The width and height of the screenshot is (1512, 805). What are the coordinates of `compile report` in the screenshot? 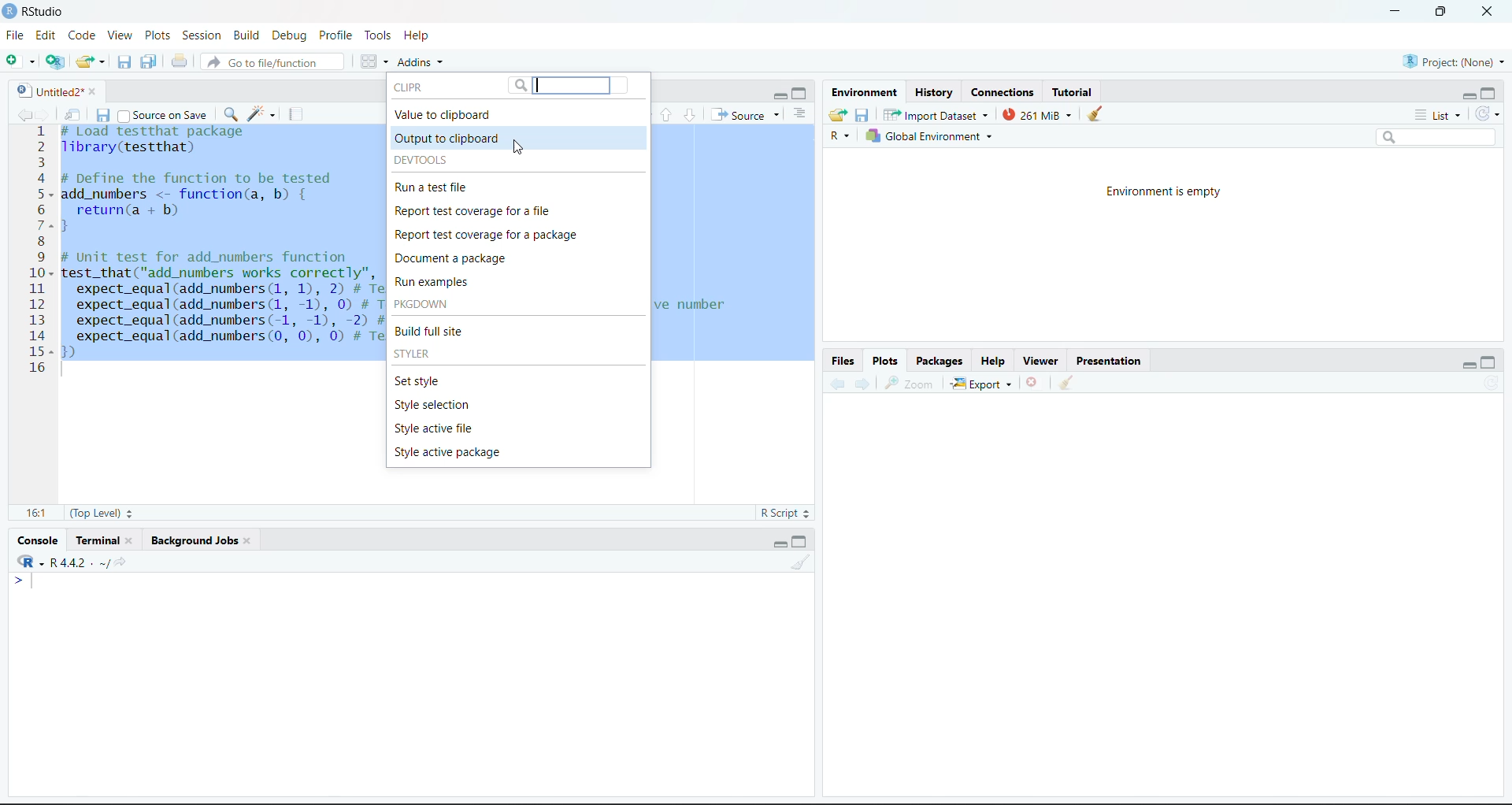 It's located at (297, 113).